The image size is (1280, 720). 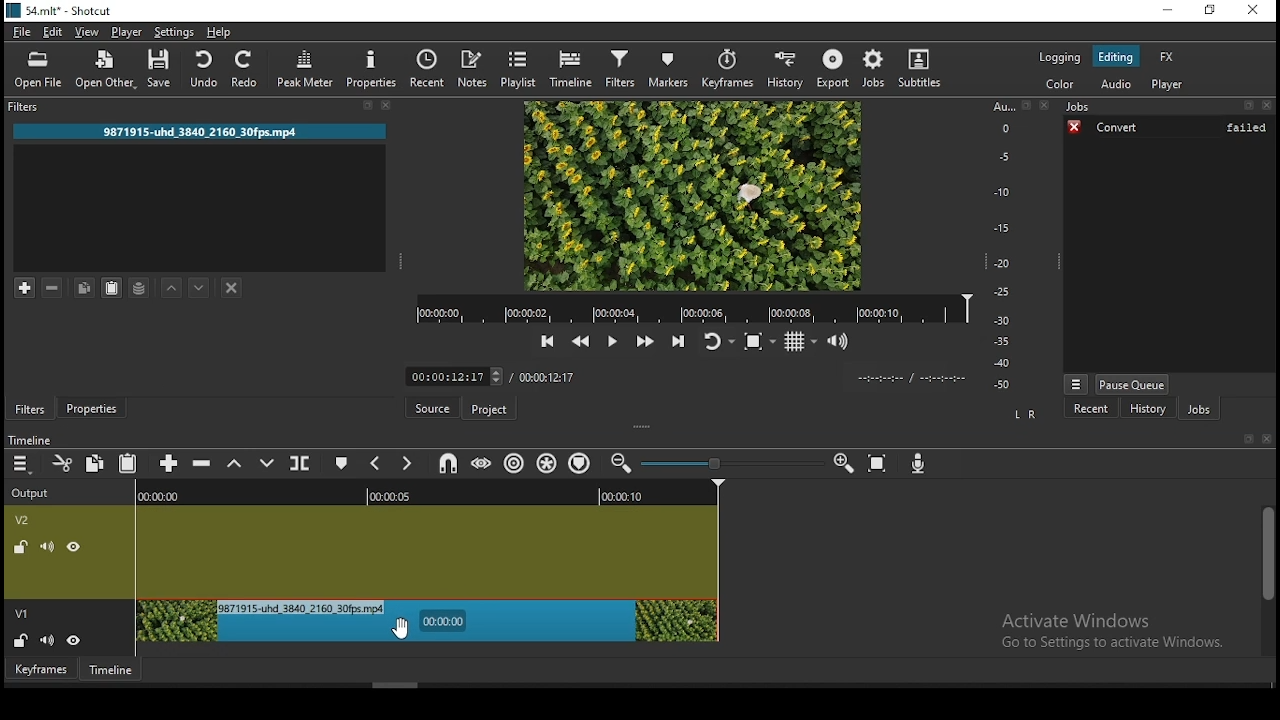 What do you see at coordinates (55, 34) in the screenshot?
I see `edit` at bounding box center [55, 34].